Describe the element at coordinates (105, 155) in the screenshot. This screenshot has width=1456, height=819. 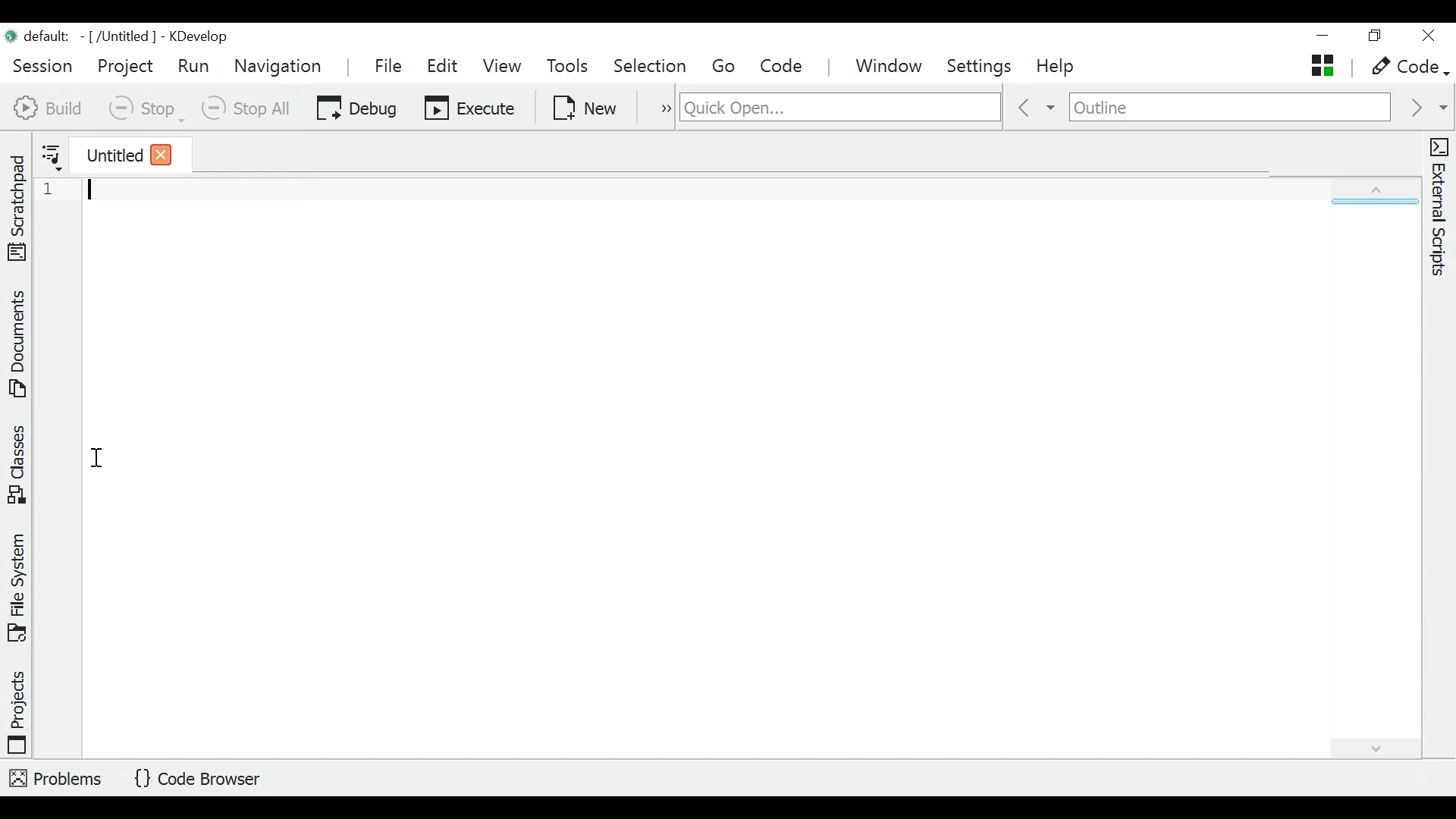
I see `current tab` at that location.